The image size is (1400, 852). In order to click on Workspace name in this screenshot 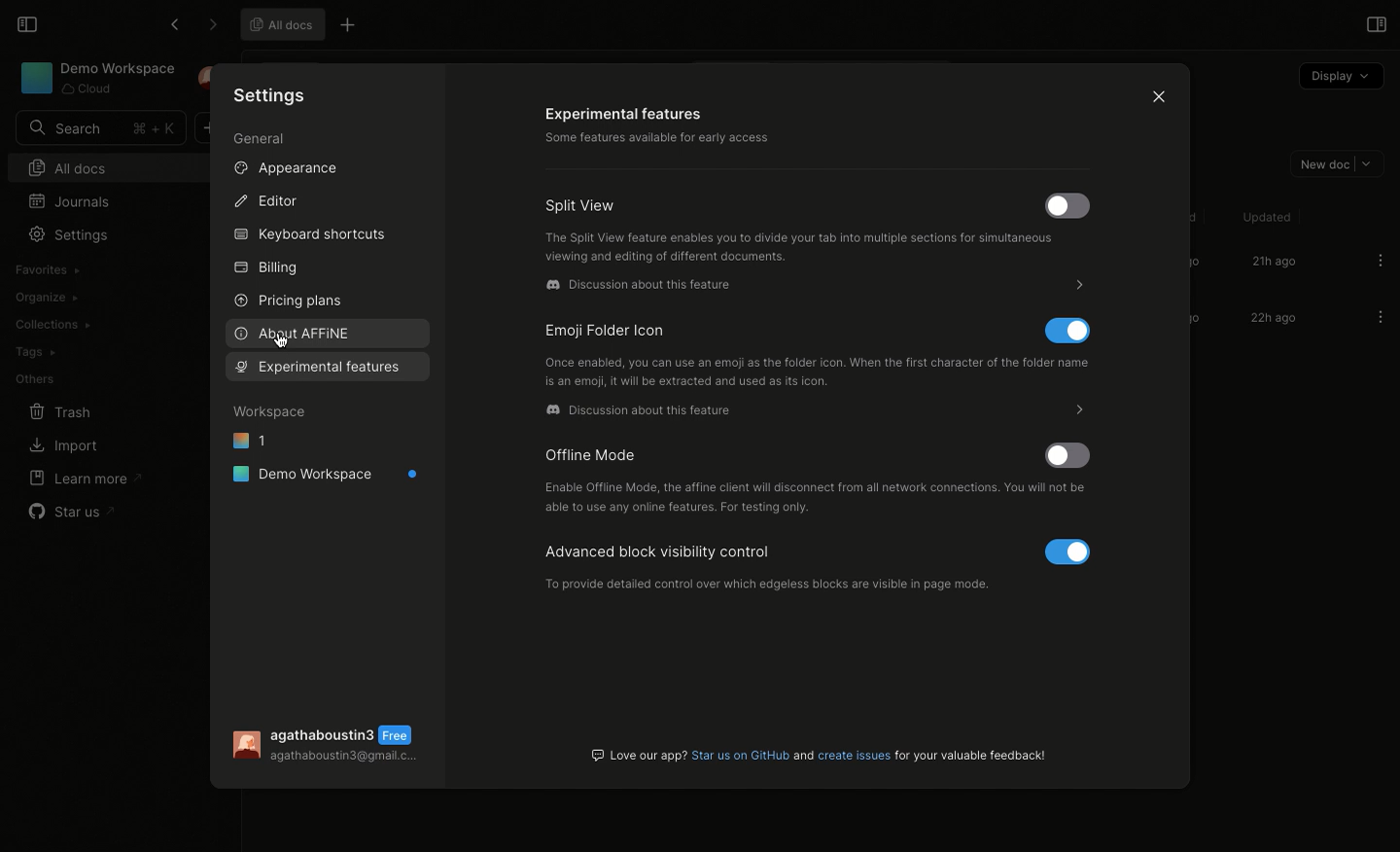, I will do `click(642, 290)`.